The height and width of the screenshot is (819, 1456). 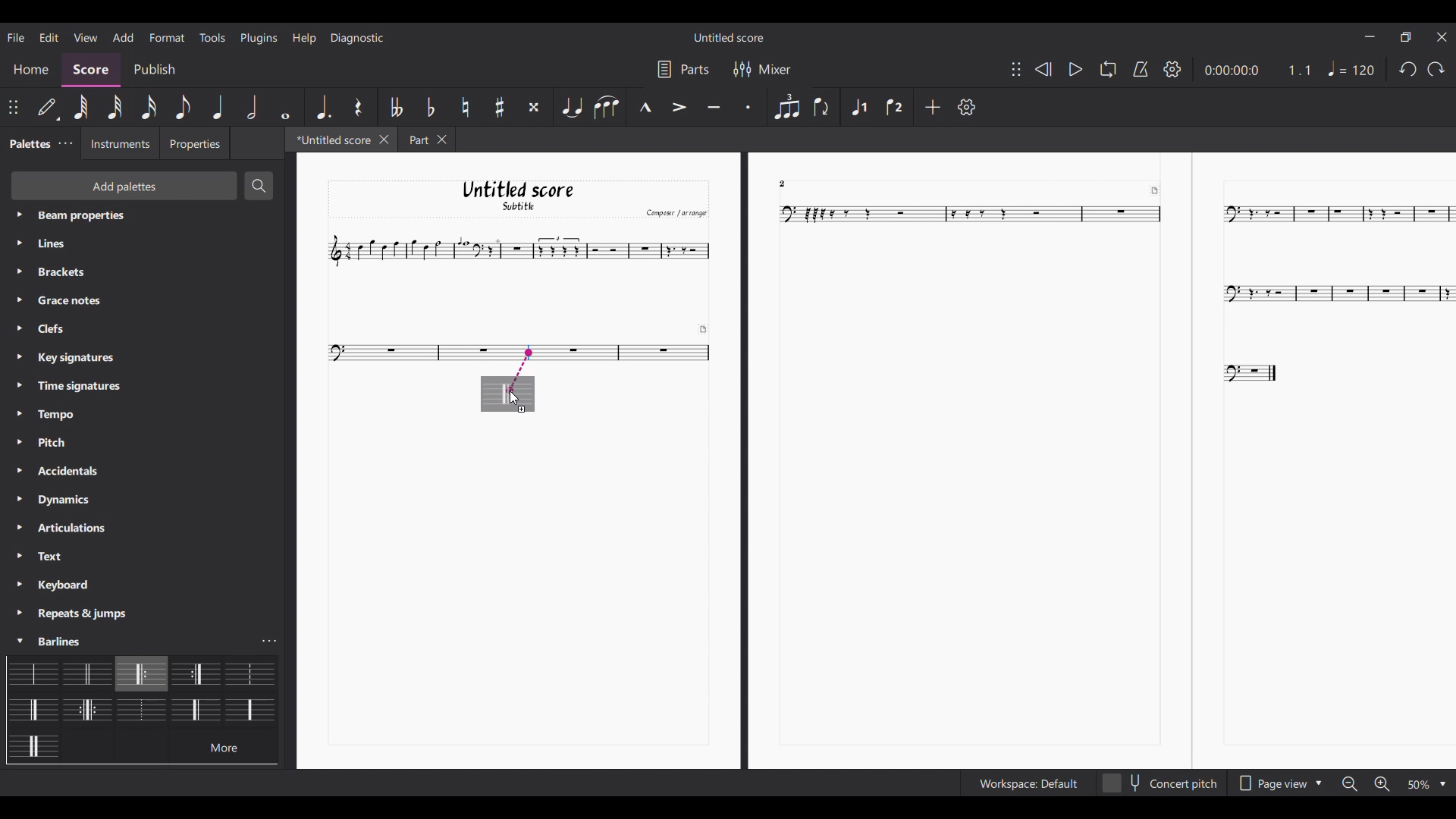 I want to click on Zoom options, so click(x=1427, y=784).